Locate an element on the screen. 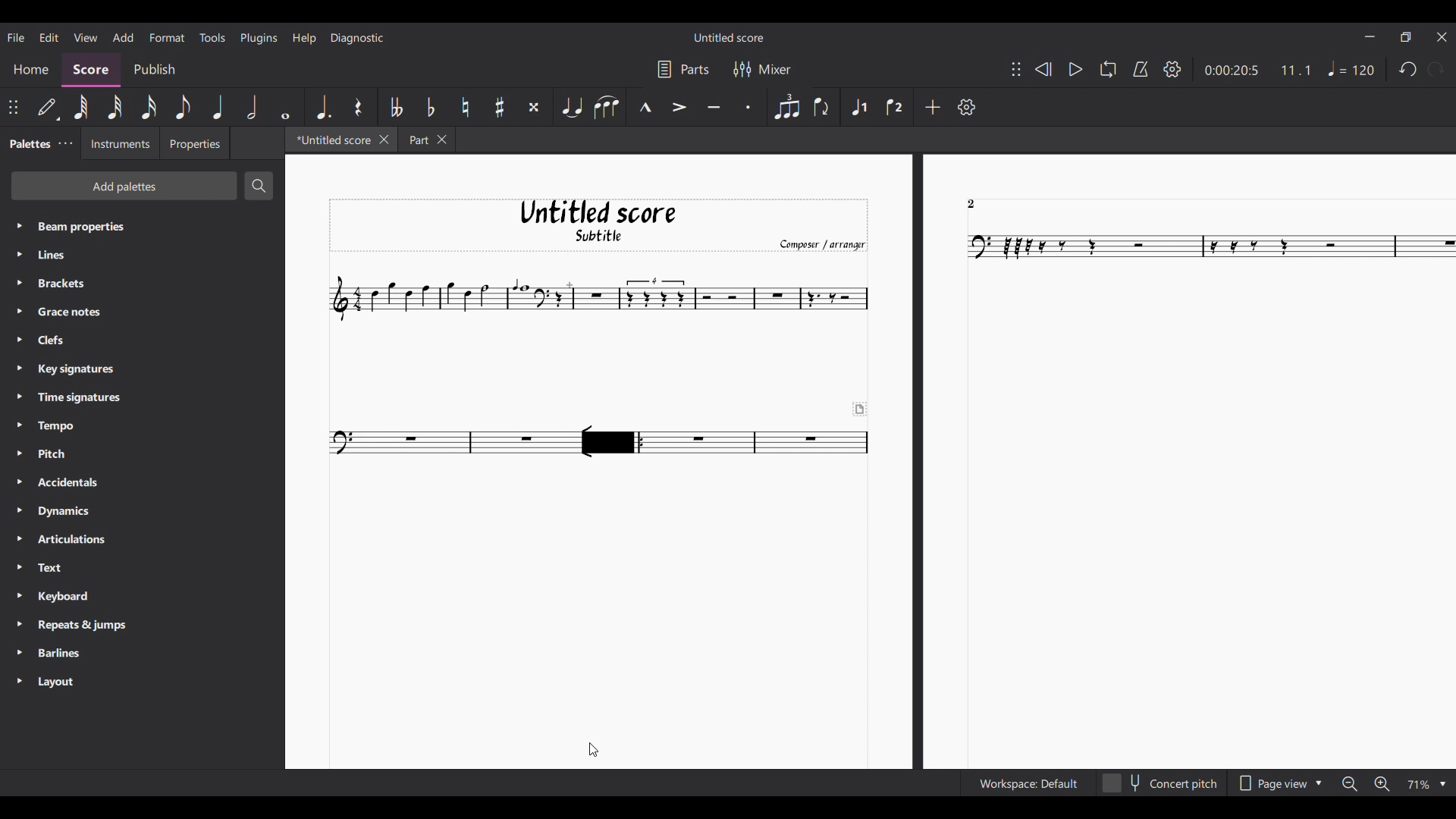 The height and width of the screenshot is (819, 1456). Metronome is located at coordinates (1141, 69).